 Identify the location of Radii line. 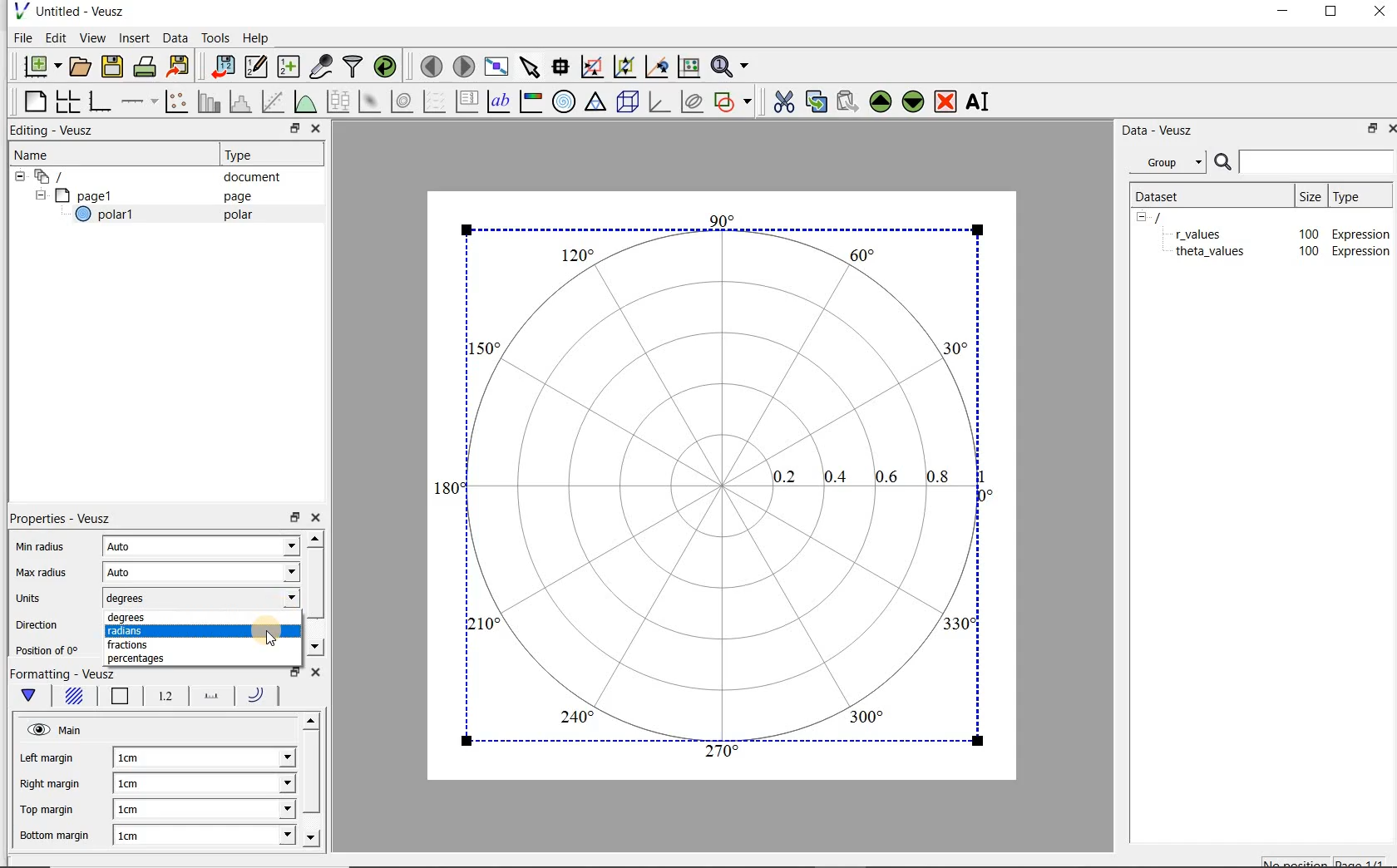
(261, 696).